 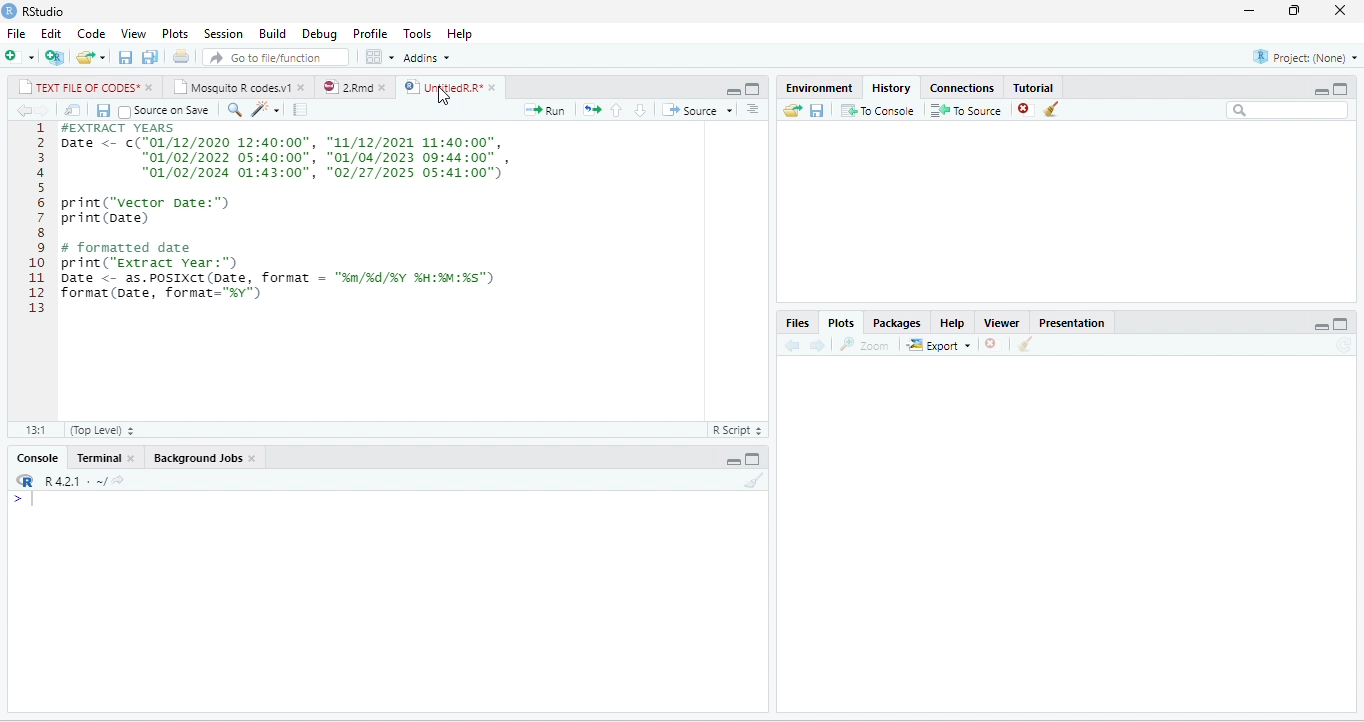 What do you see at coordinates (276, 57) in the screenshot?
I see `search file` at bounding box center [276, 57].